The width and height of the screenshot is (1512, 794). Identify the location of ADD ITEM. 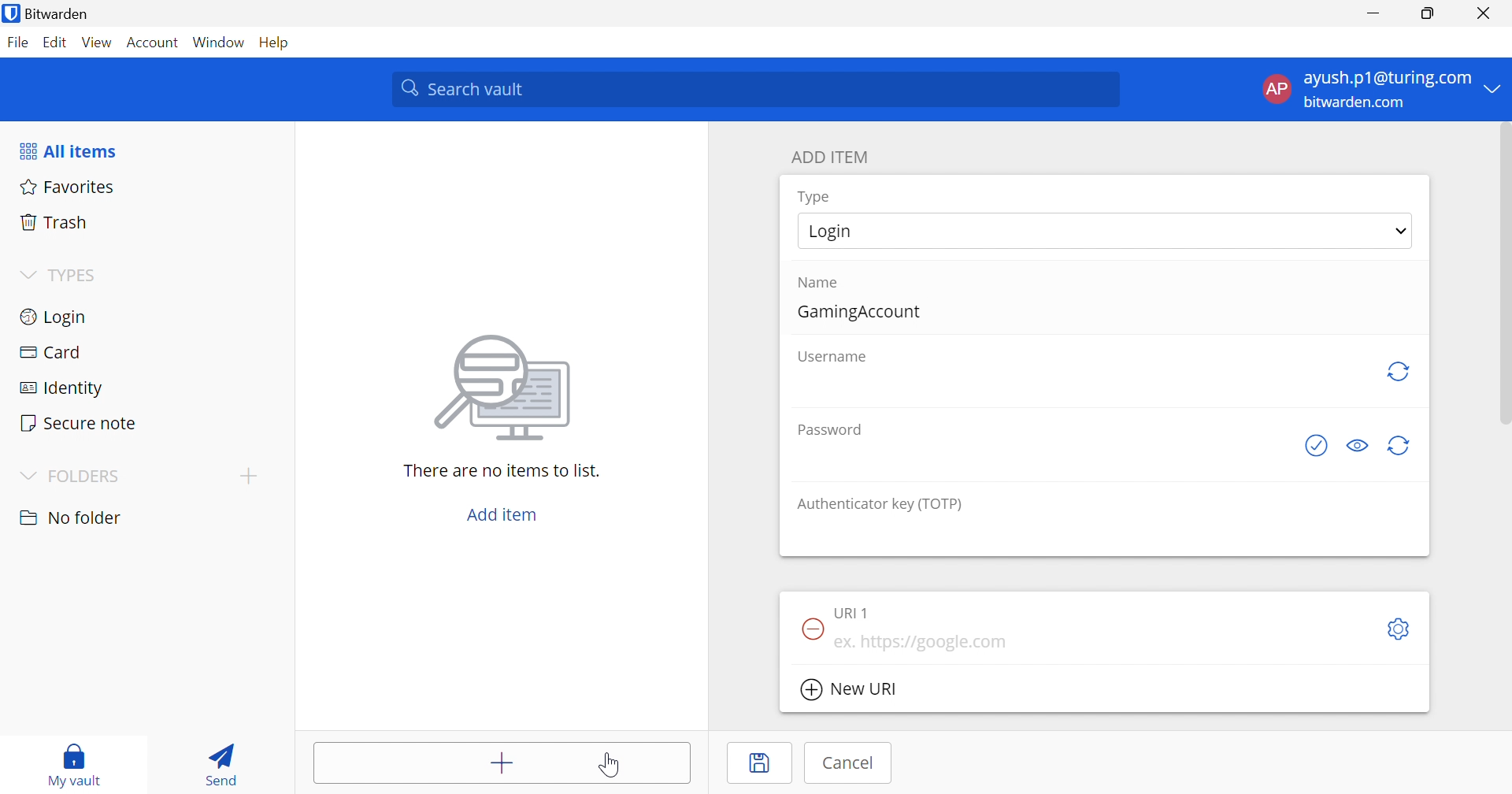
(834, 158).